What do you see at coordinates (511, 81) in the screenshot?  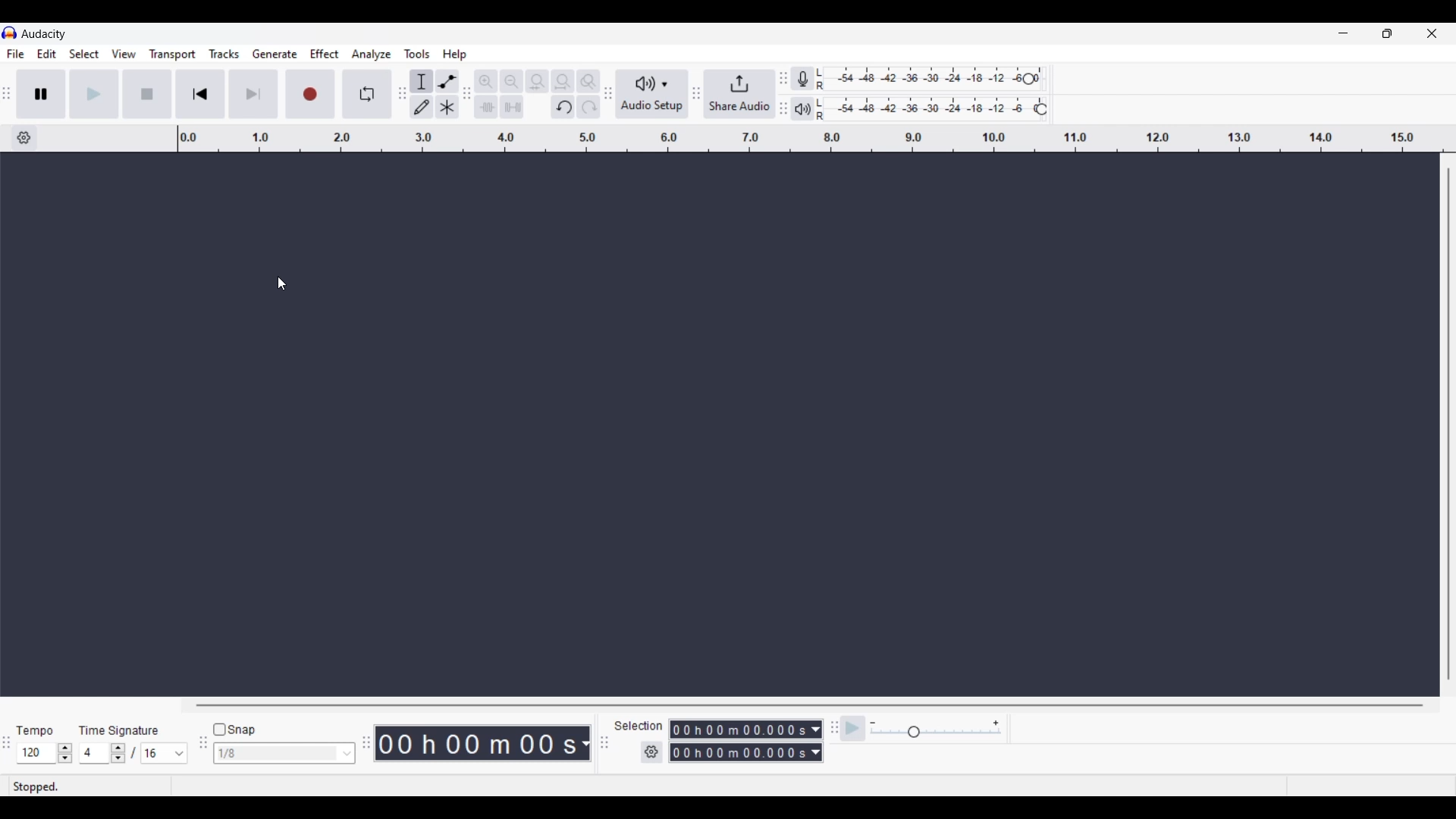 I see `Zoom out` at bounding box center [511, 81].